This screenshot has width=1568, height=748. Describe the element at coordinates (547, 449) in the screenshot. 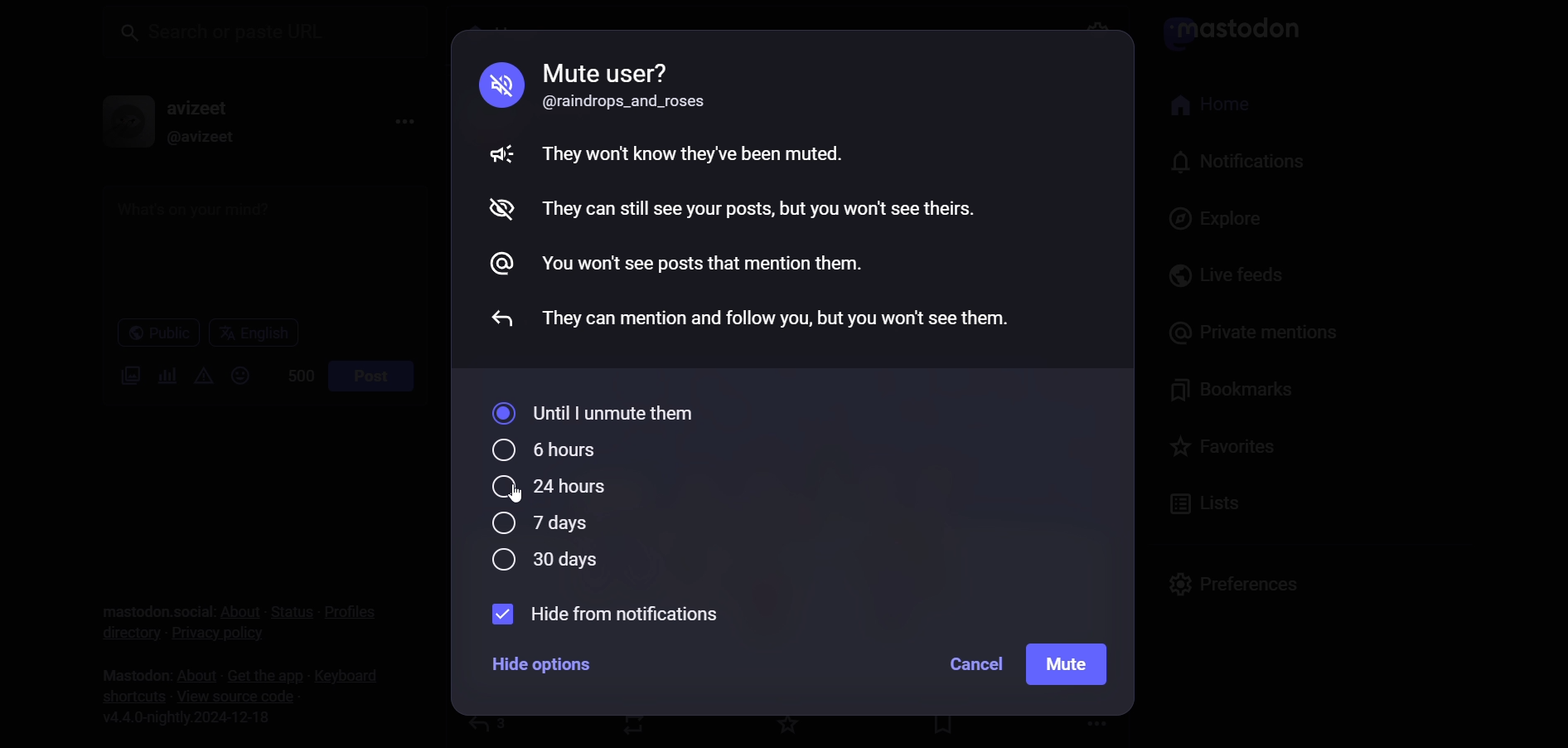

I see `6 hours` at that location.